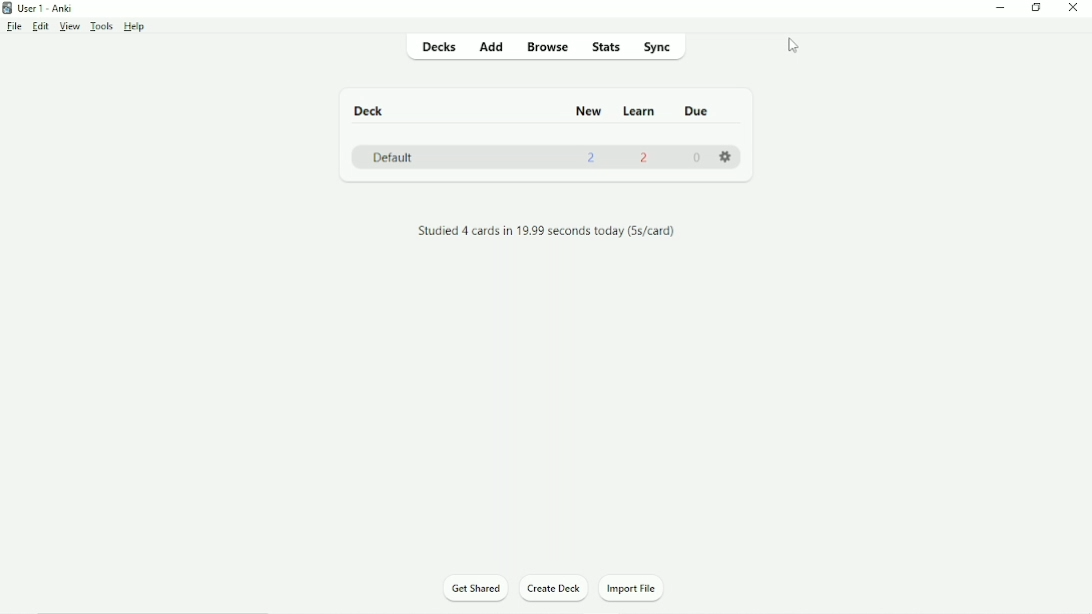 Image resolution: width=1092 pixels, height=614 pixels. What do you see at coordinates (40, 7) in the screenshot?
I see `User 1 - Anki` at bounding box center [40, 7].